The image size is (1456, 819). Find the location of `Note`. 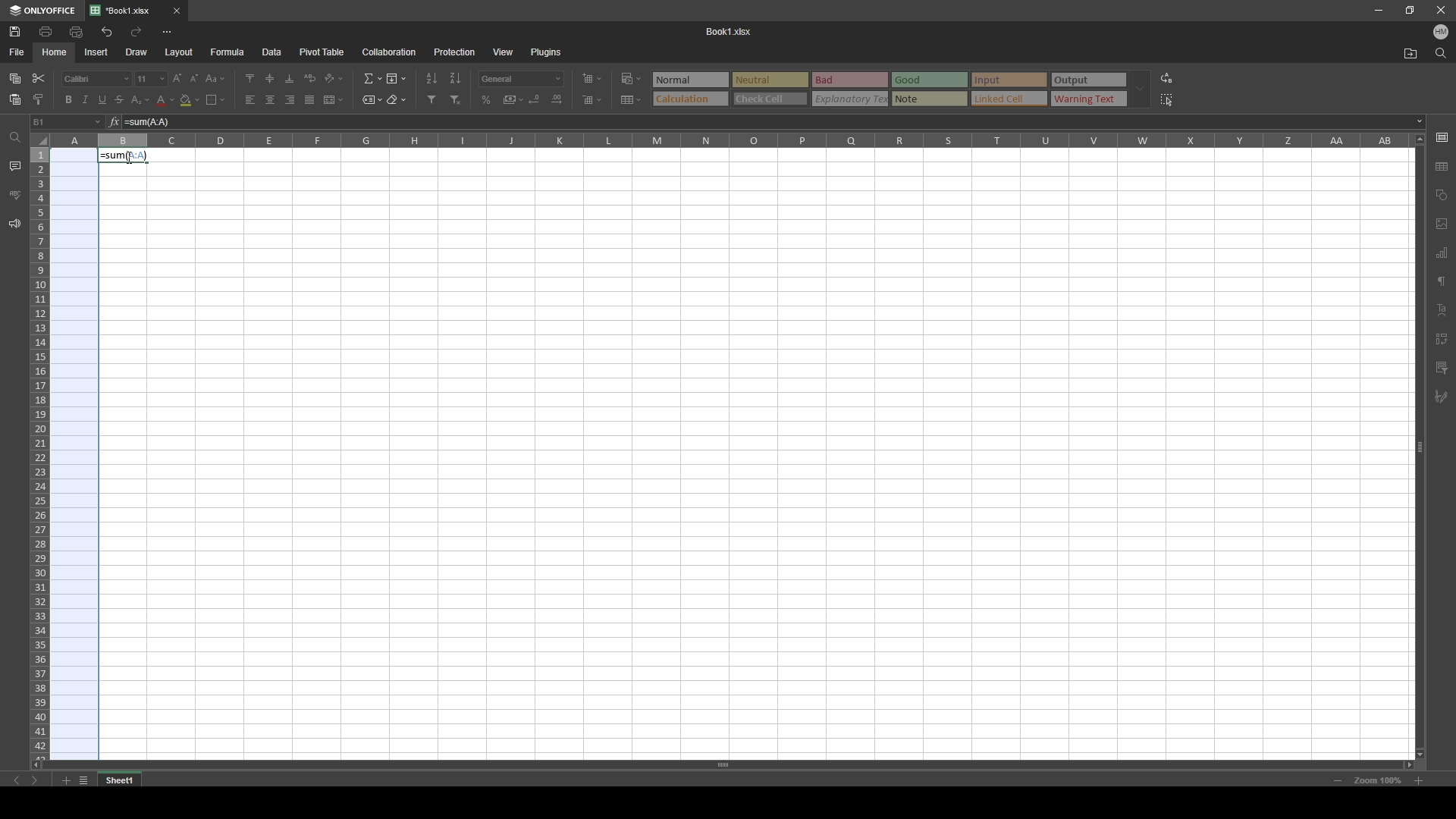

Note is located at coordinates (930, 99).